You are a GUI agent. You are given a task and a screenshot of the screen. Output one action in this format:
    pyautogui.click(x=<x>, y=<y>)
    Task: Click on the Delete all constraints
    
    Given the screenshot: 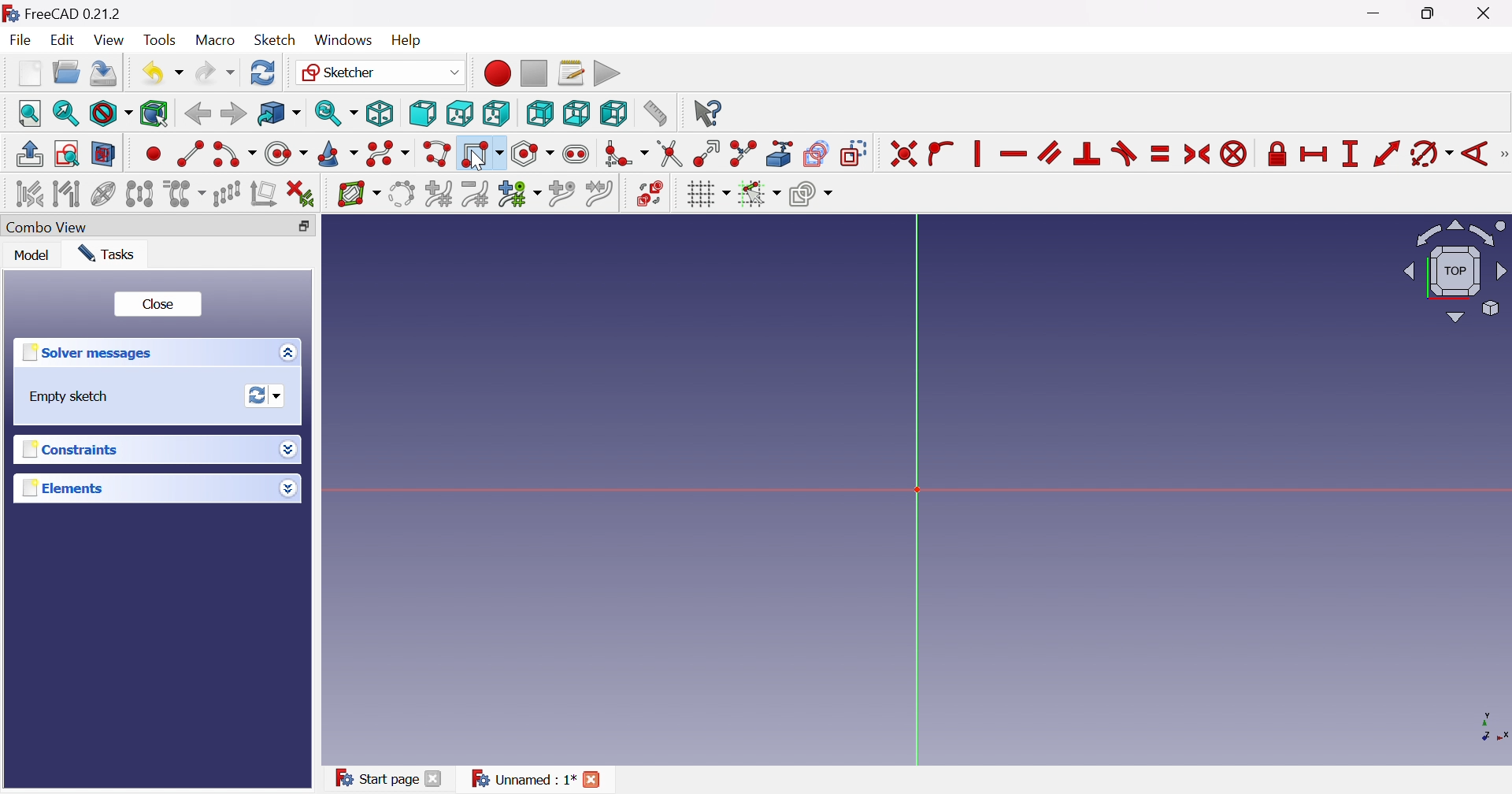 What is the action you would take?
    pyautogui.click(x=301, y=195)
    